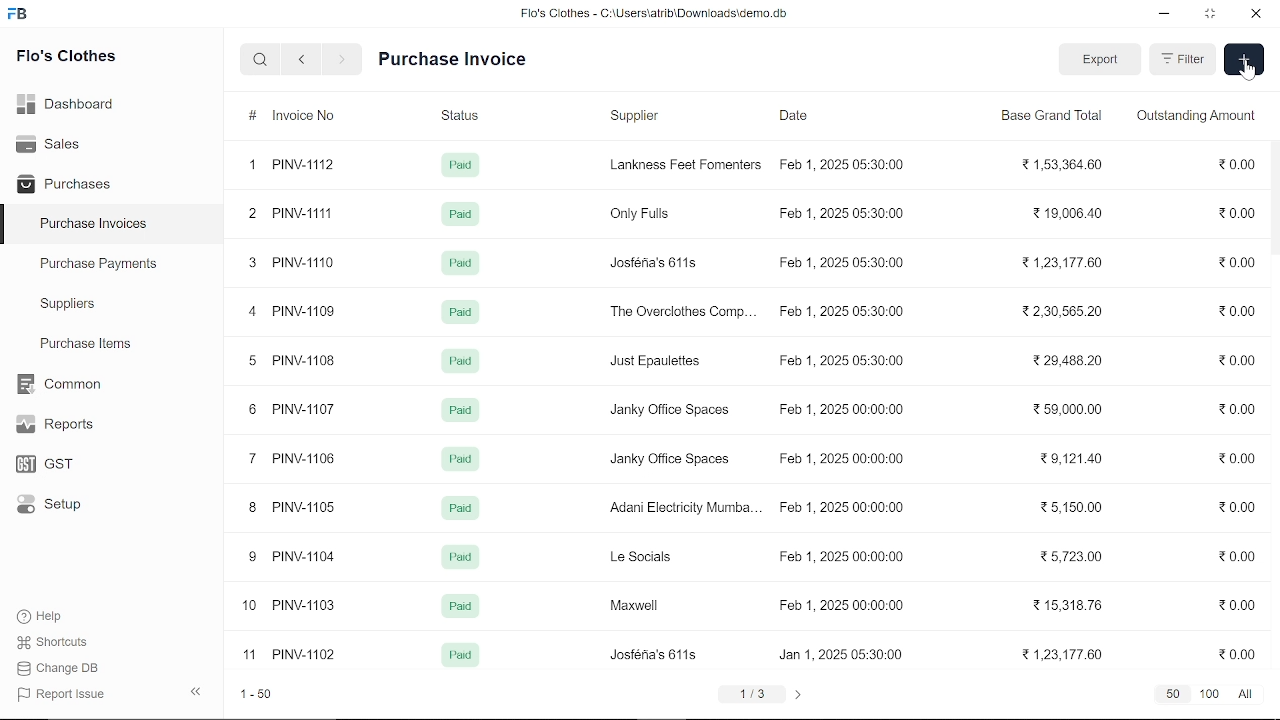 This screenshot has width=1280, height=720. What do you see at coordinates (64, 182) in the screenshot?
I see `Purchases` at bounding box center [64, 182].